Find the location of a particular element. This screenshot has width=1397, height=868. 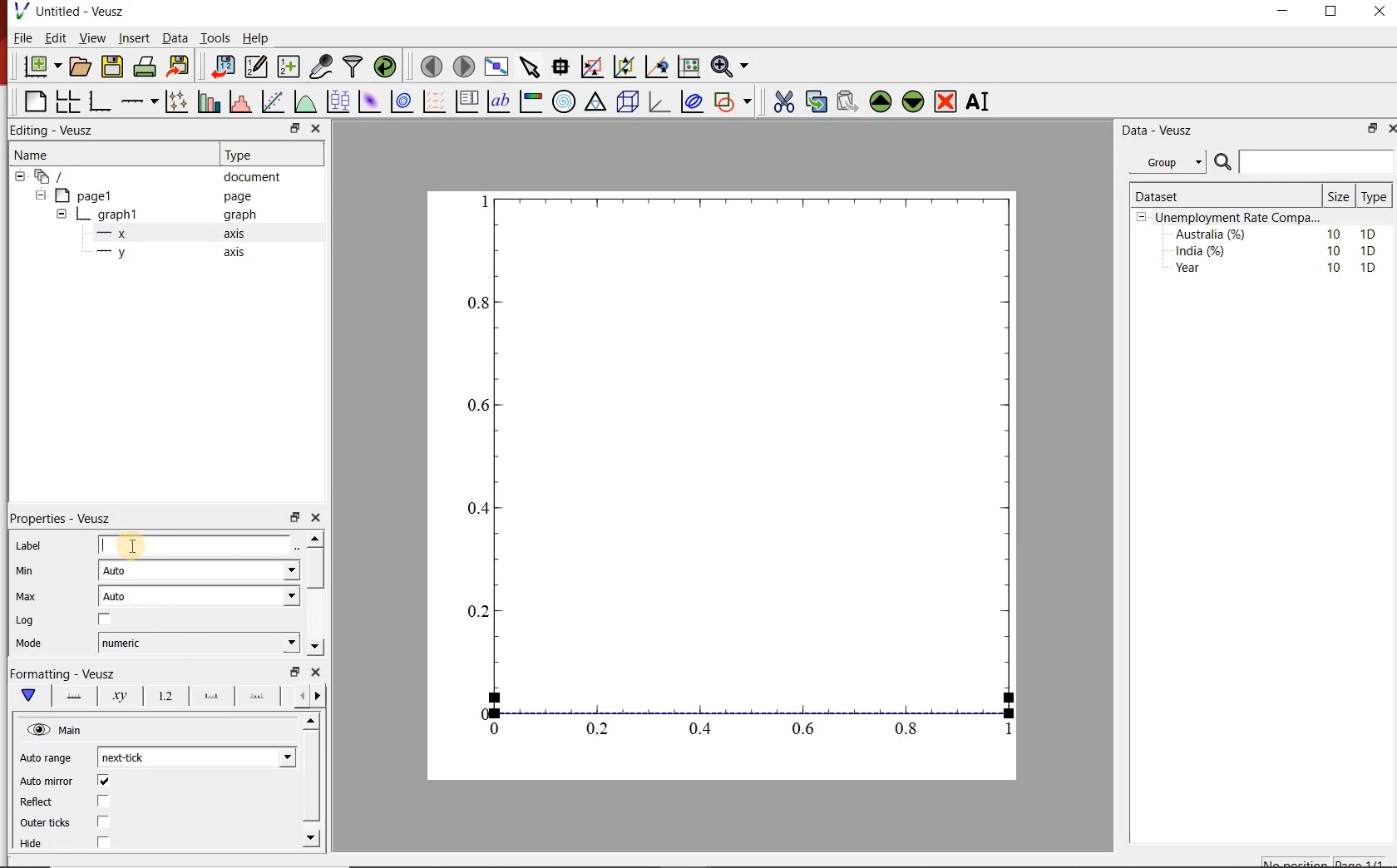

collpase is located at coordinates (1142, 218).